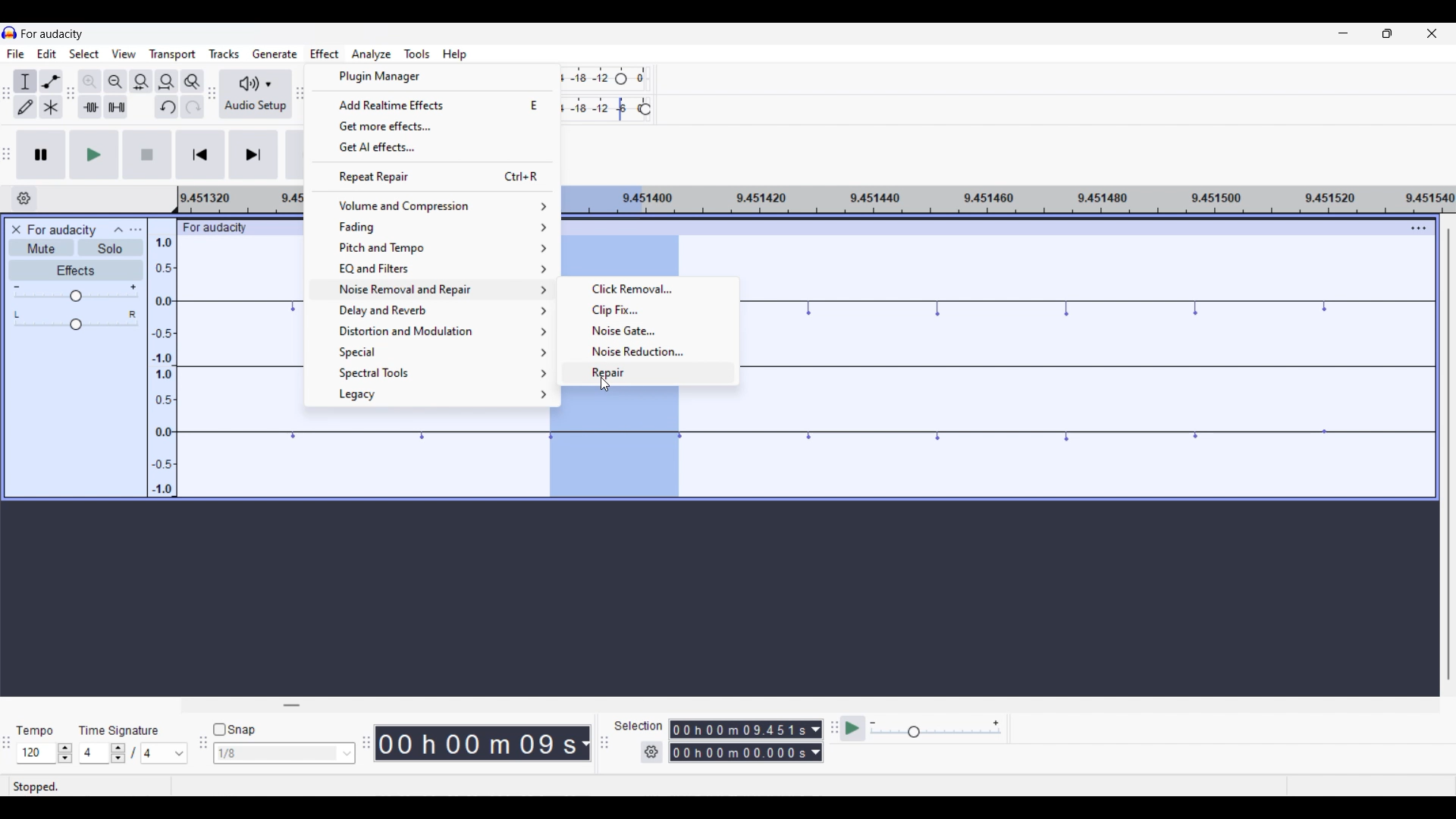  What do you see at coordinates (325, 54) in the screenshot?
I see `Effect menu` at bounding box center [325, 54].